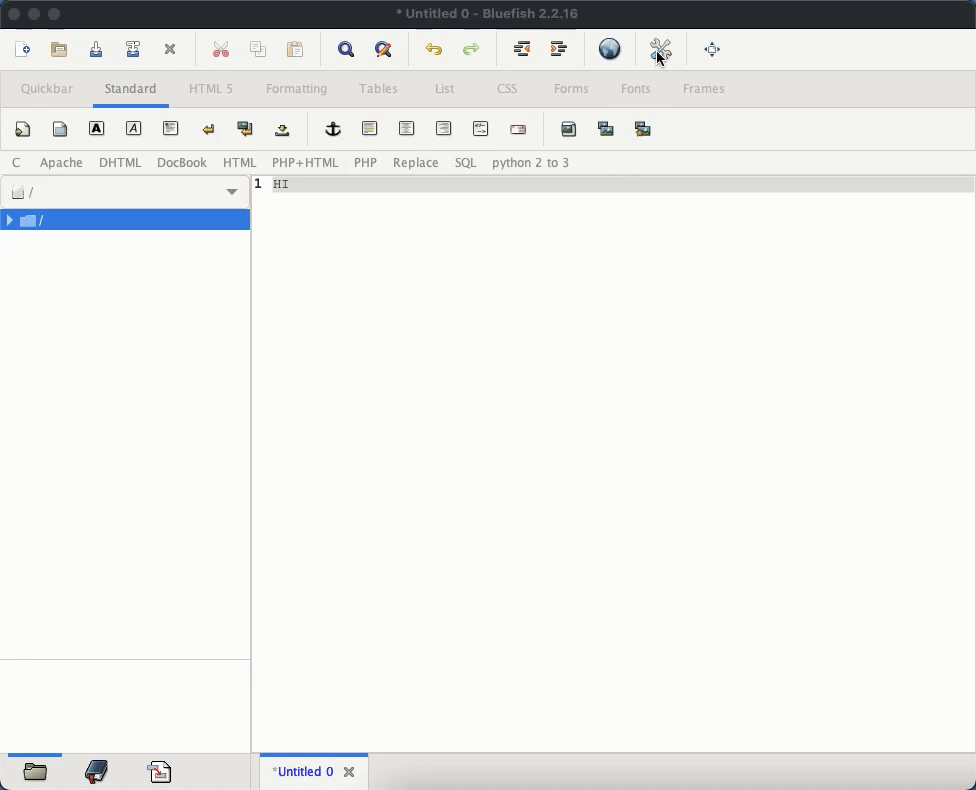 Image resolution: width=976 pixels, height=790 pixels. What do you see at coordinates (637, 89) in the screenshot?
I see `fonts` at bounding box center [637, 89].